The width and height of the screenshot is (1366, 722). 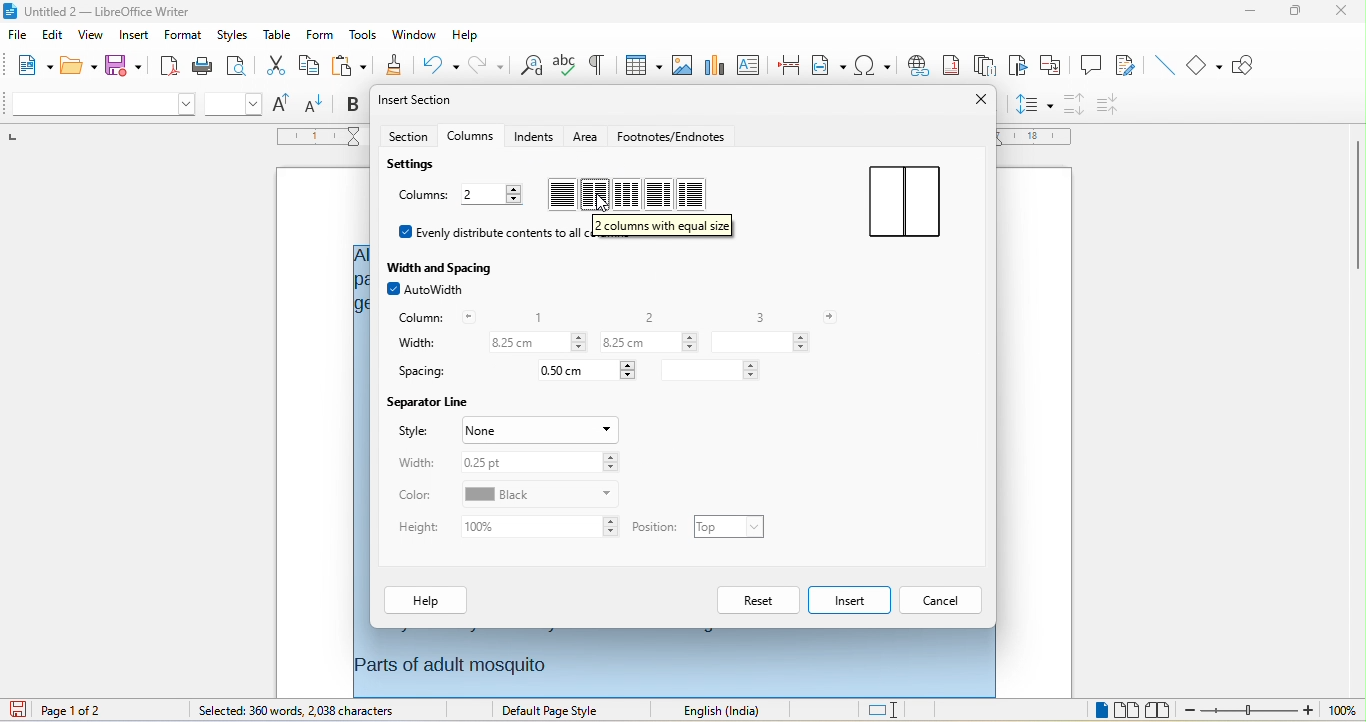 What do you see at coordinates (423, 371) in the screenshot?
I see `spacing` at bounding box center [423, 371].